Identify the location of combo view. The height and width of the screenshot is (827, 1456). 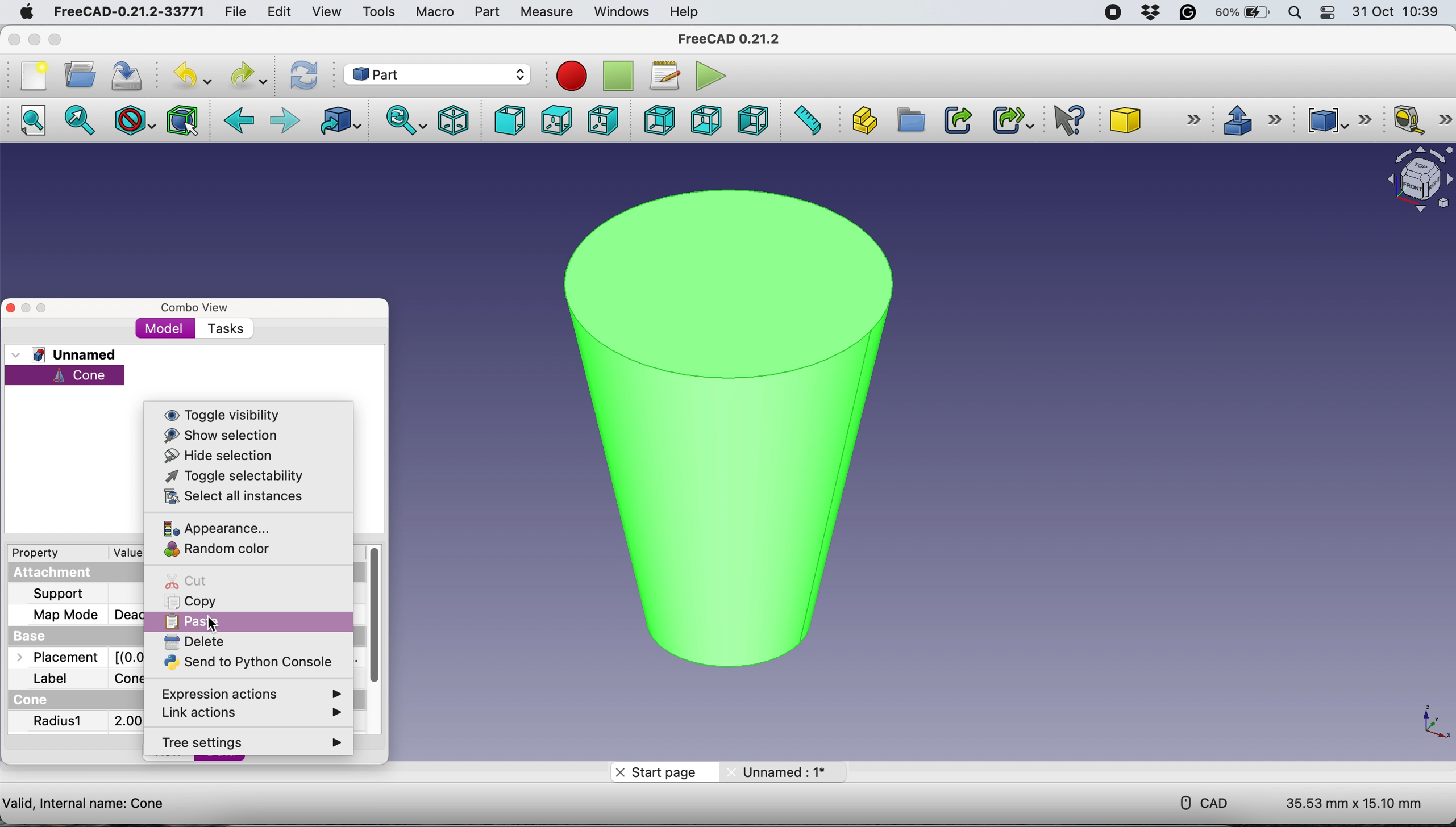
(195, 306).